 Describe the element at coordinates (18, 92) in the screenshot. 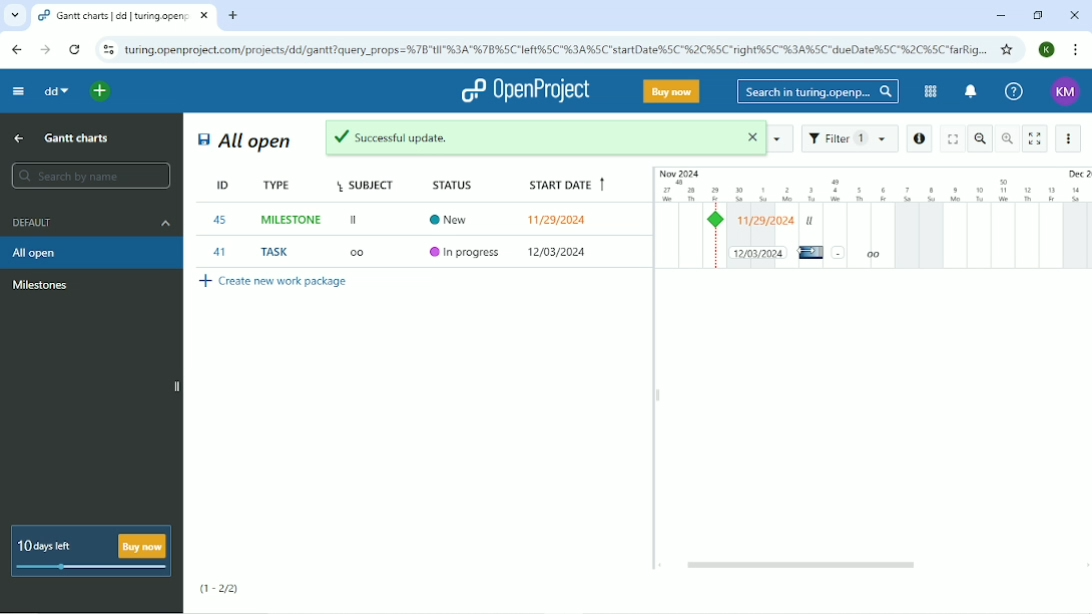

I see `Collapse project menu` at that location.